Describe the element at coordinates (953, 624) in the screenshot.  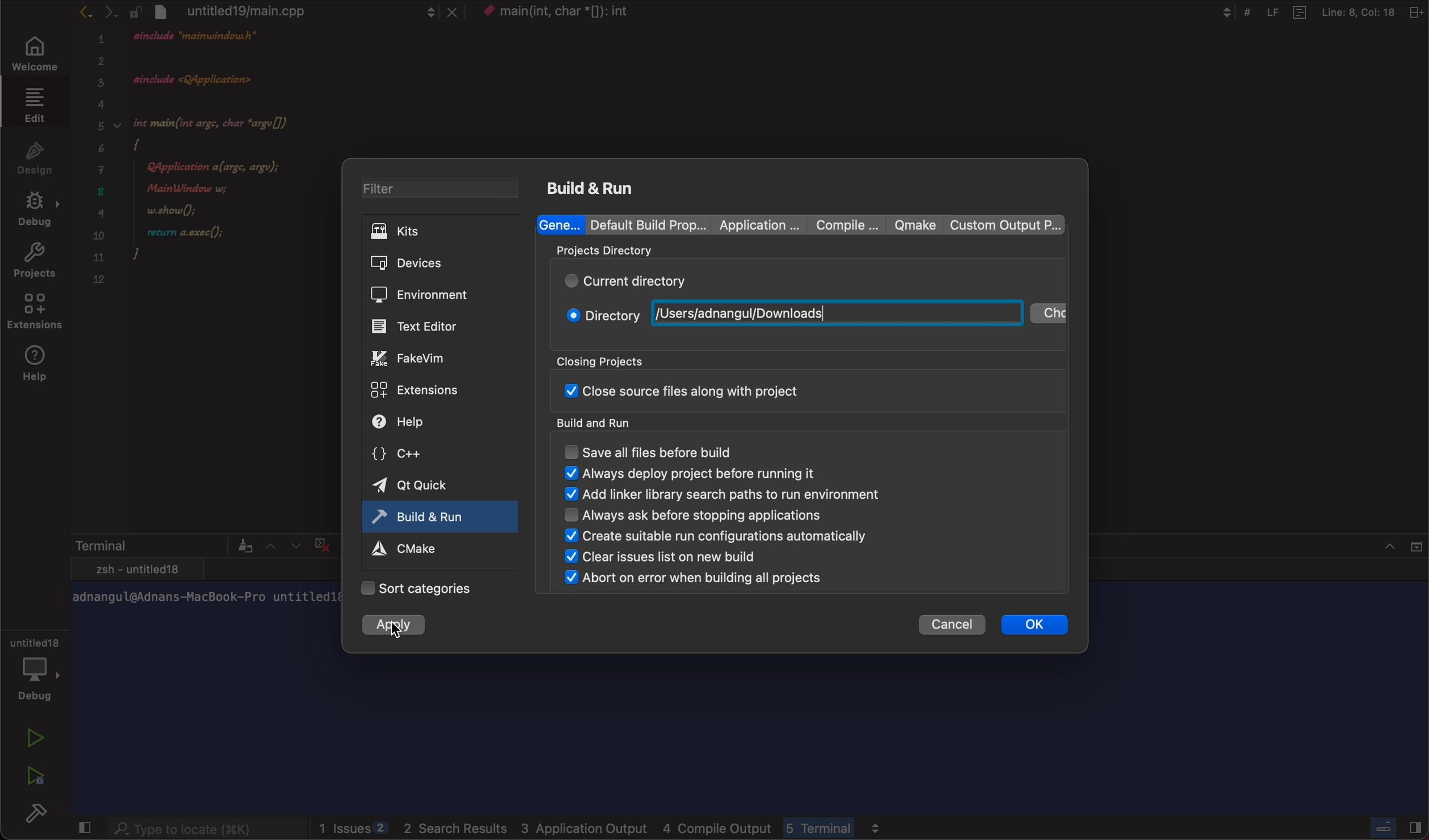
I see `cancel` at that location.